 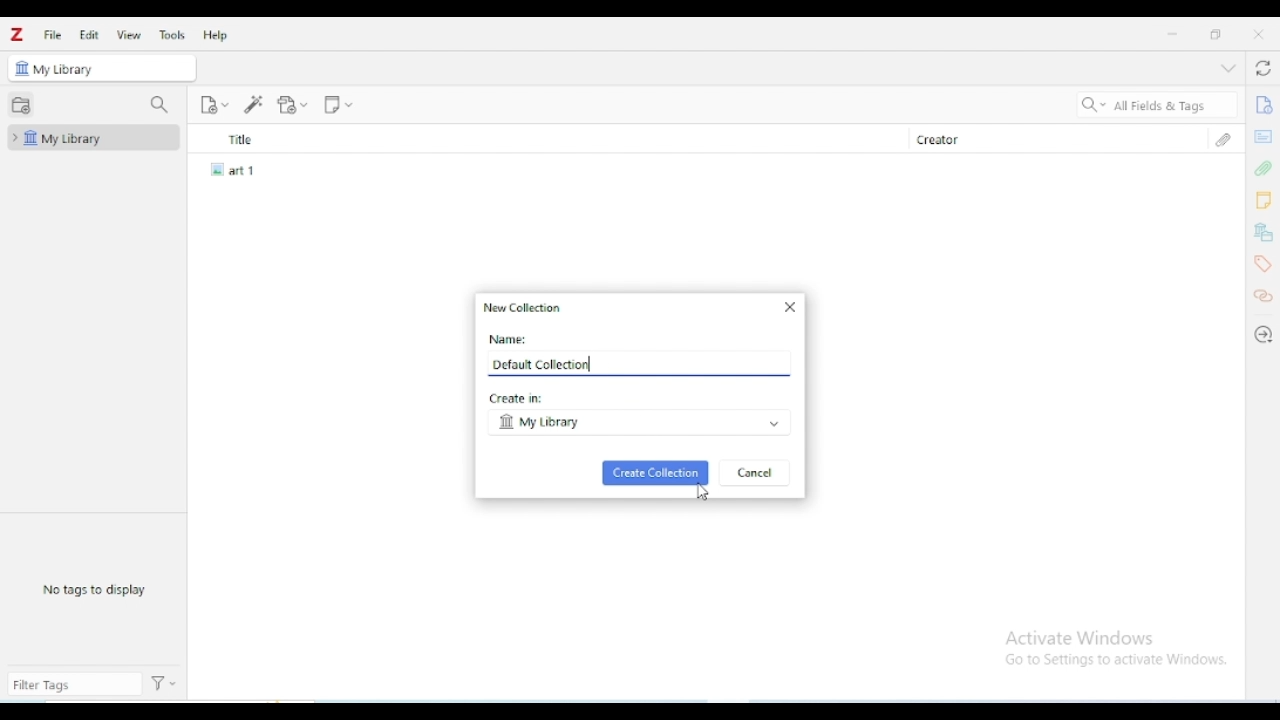 What do you see at coordinates (756, 473) in the screenshot?
I see `cancel` at bounding box center [756, 473].